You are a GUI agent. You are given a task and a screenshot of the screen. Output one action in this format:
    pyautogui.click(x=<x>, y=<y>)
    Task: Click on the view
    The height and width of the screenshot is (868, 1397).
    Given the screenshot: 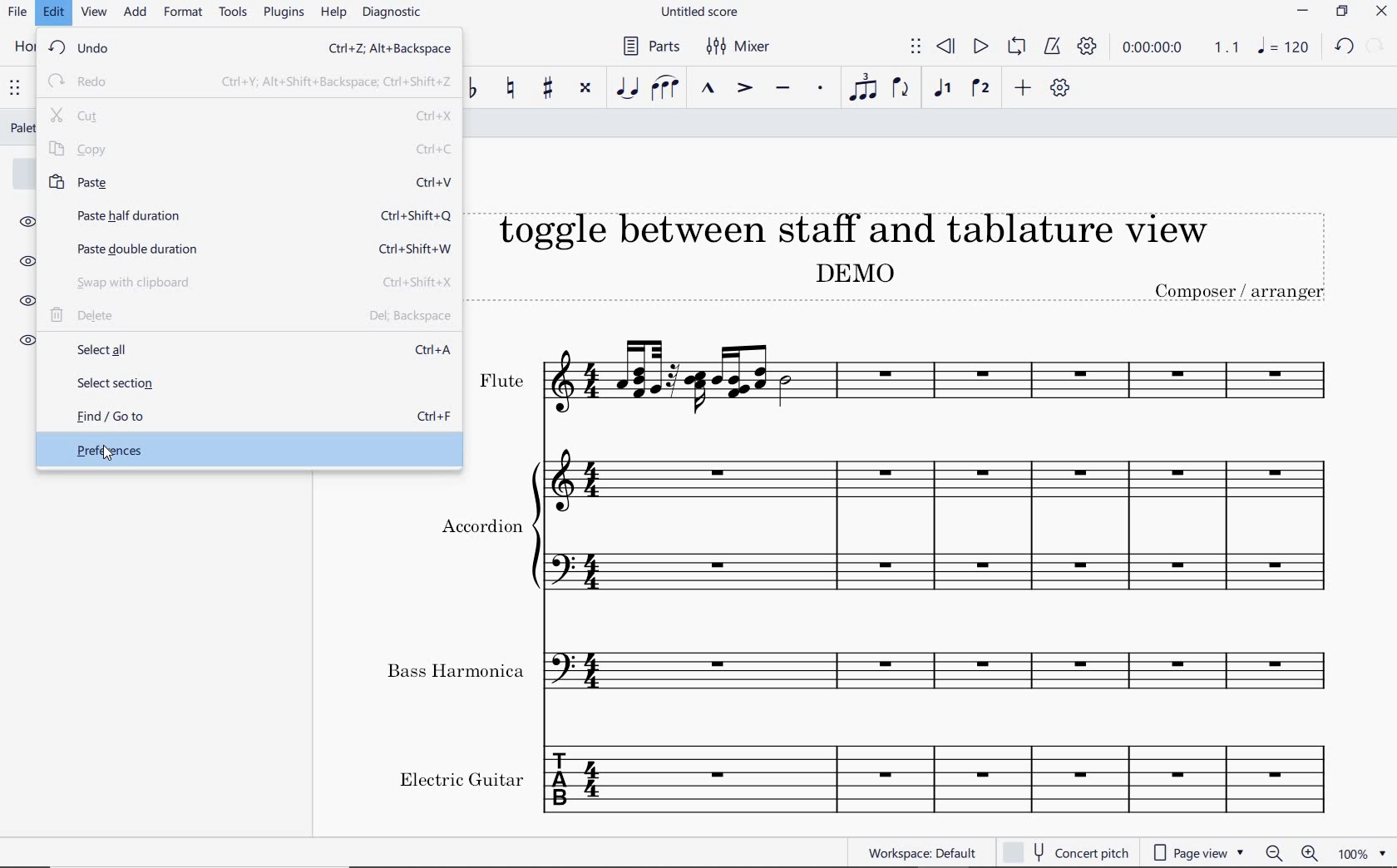 What is the action you would take?
    pyautogui.click(x=91, y=16)
    